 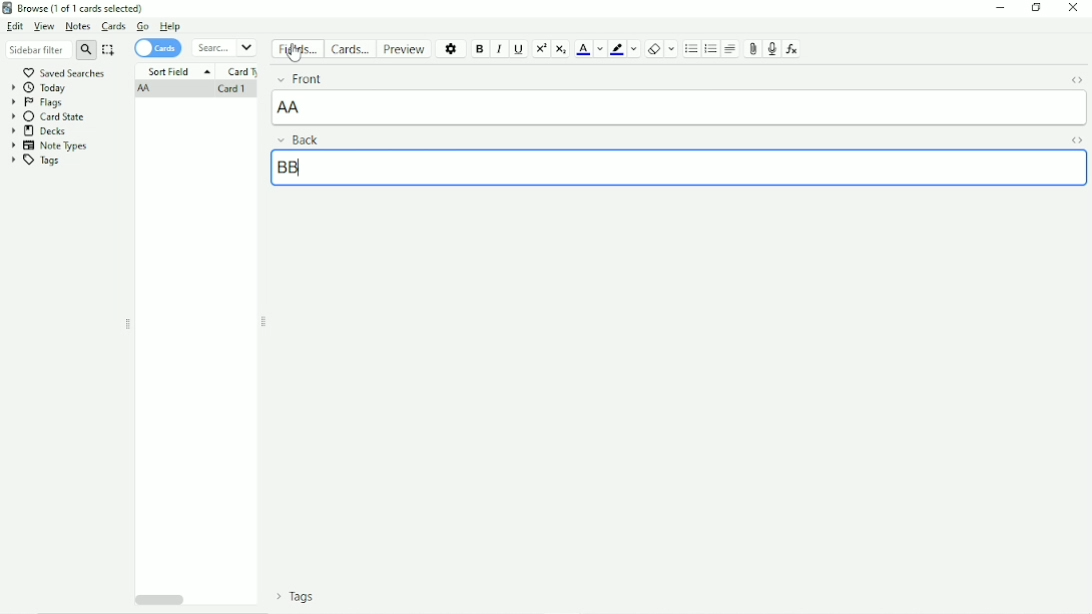 I want to click on Today, so click(x=40, y=88).